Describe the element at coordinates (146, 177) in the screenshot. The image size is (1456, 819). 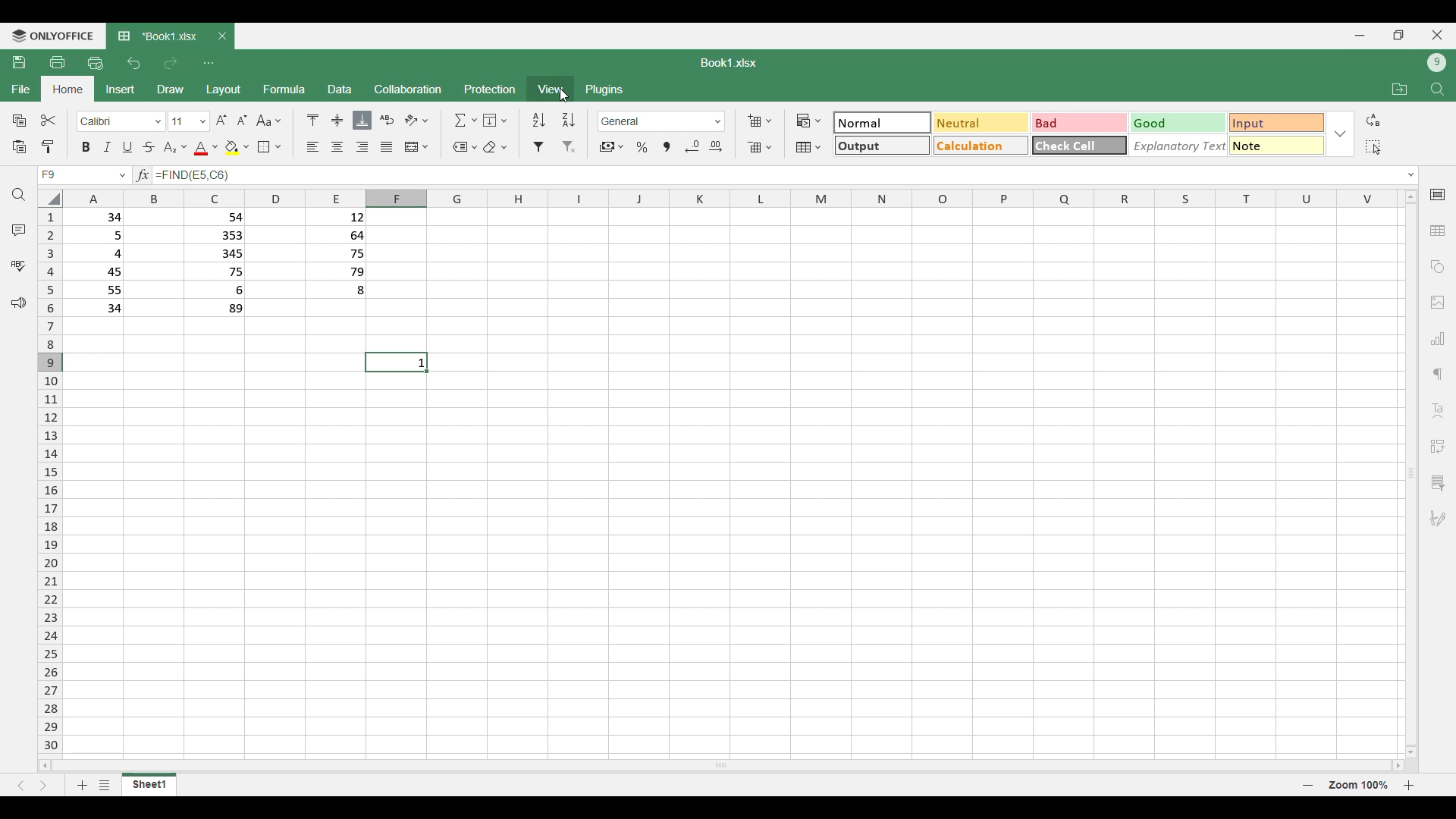
I see `input formula` at that location.